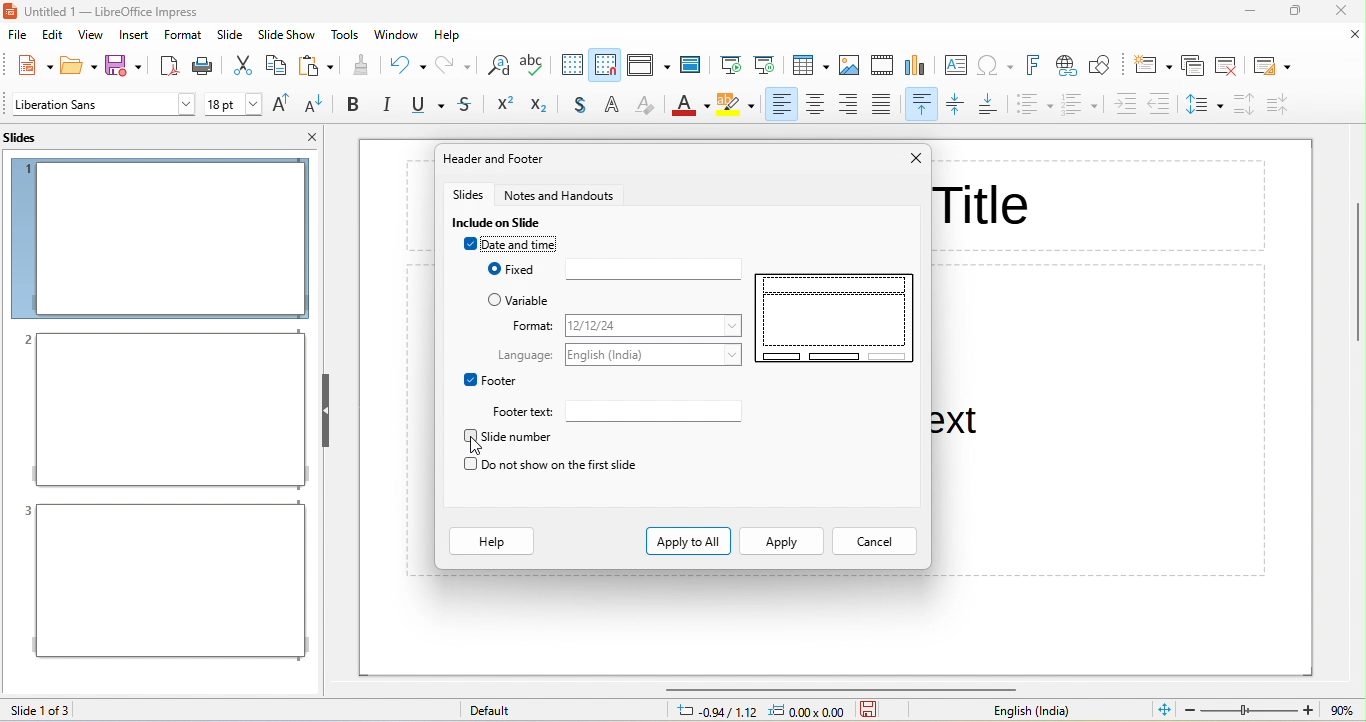 Image resolution: width=1366 pixels, height=722 pixels. What do you see at coordinates (502, 711) in the screenshot?
I see `default` at bounding box center [502, 711].